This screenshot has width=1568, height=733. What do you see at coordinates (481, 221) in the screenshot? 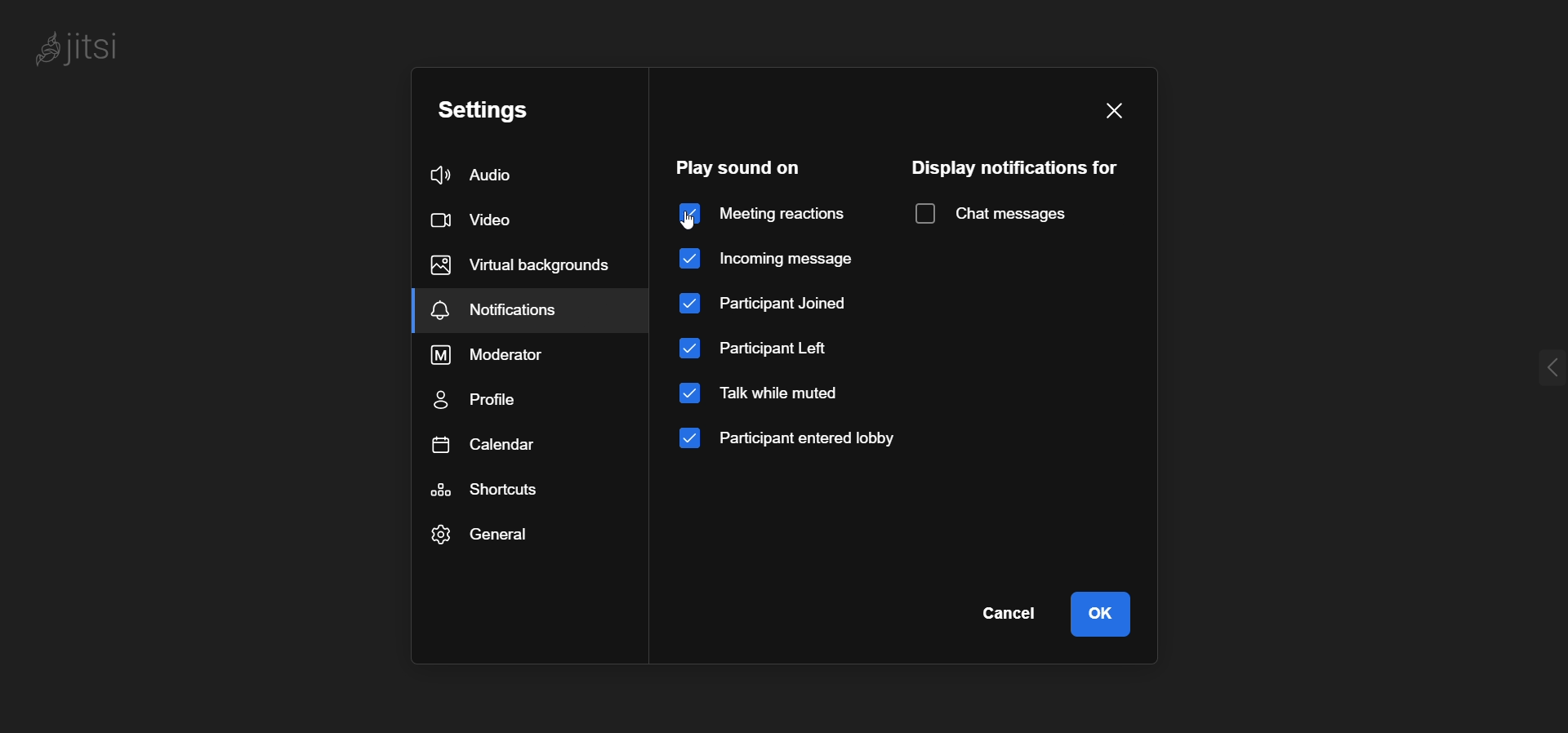
I see `video` at bounding box center [481, 221].